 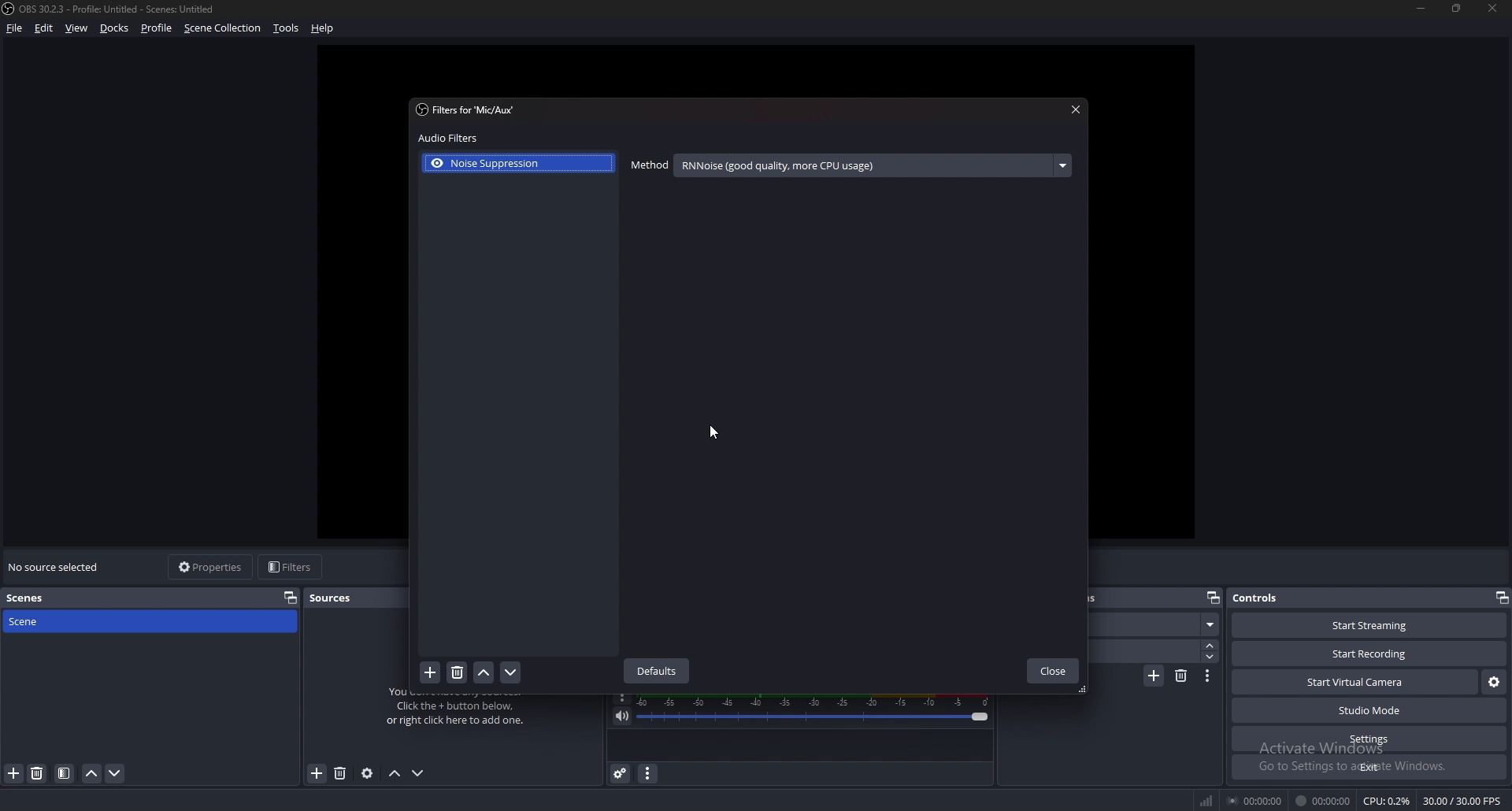 I want to click on move source up, so click(x=395, y=774).